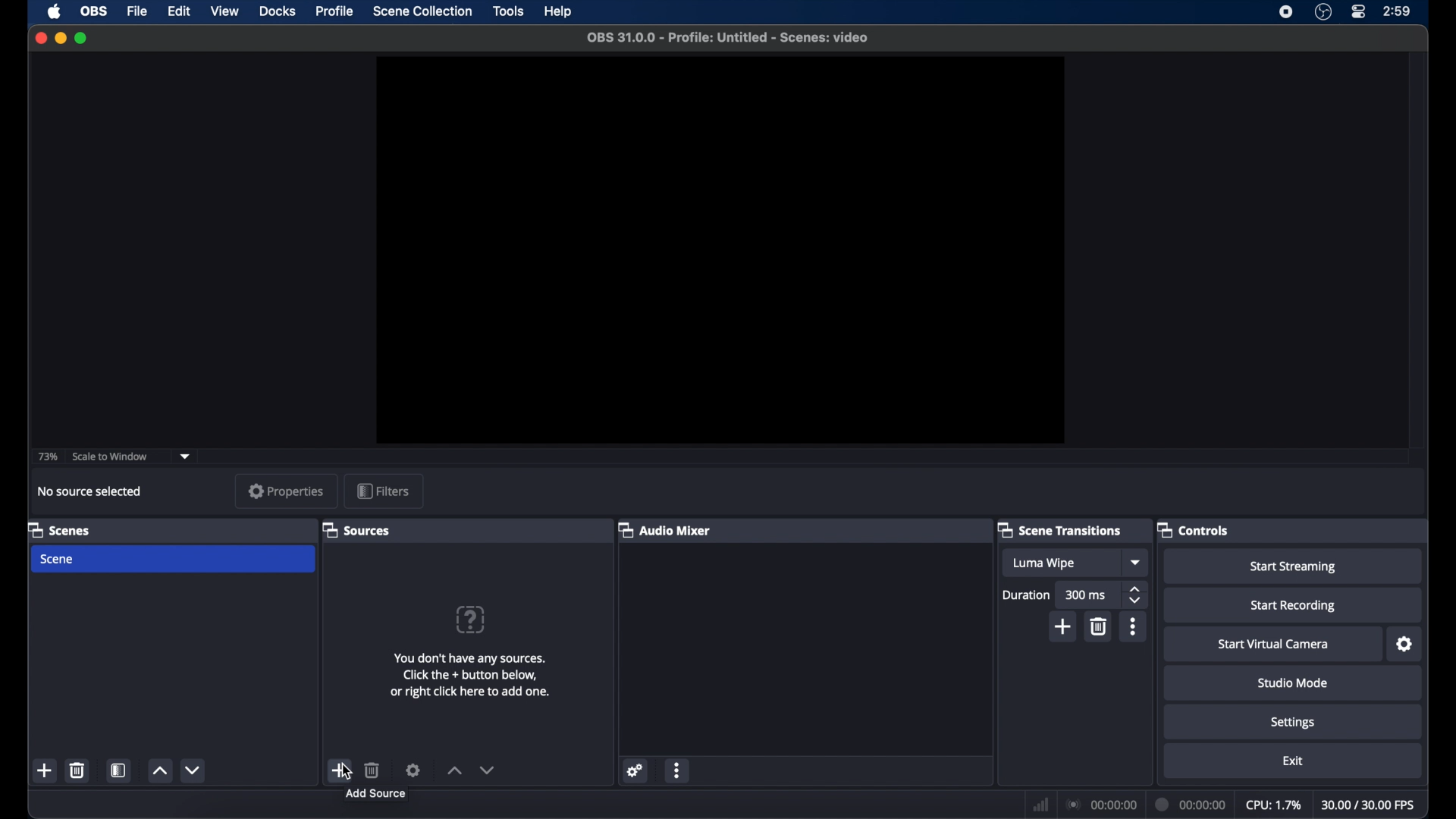 The height and width of the screenshot is (819, 1456). Describe the element at coordinates (60, 38) in the screenshot. I see `minimize` at that location.